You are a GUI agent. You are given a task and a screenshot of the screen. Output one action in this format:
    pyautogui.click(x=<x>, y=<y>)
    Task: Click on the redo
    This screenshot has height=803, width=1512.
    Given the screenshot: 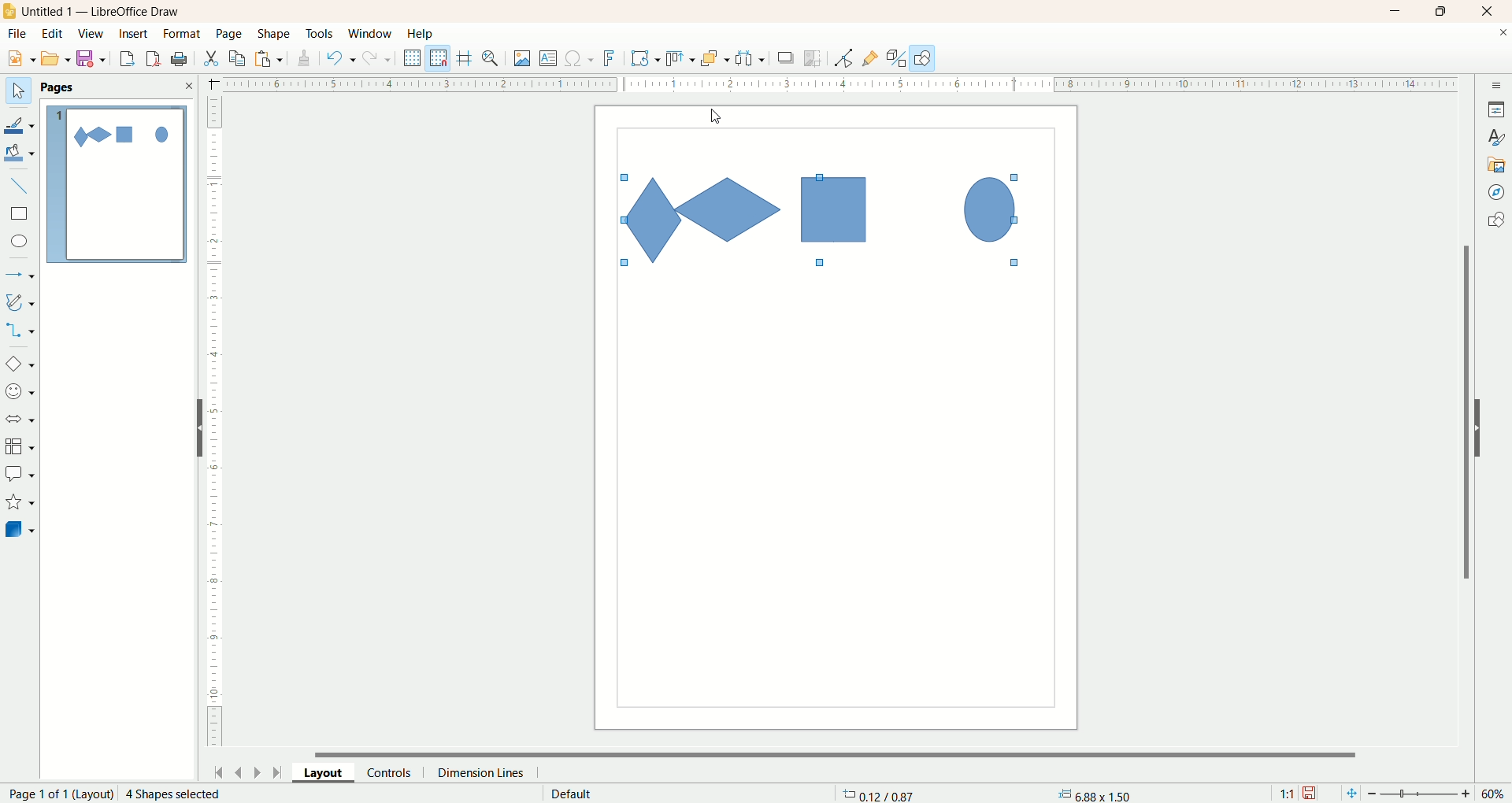 What is the action you would take?
    pyautogui.click(x=380, y=57)
    